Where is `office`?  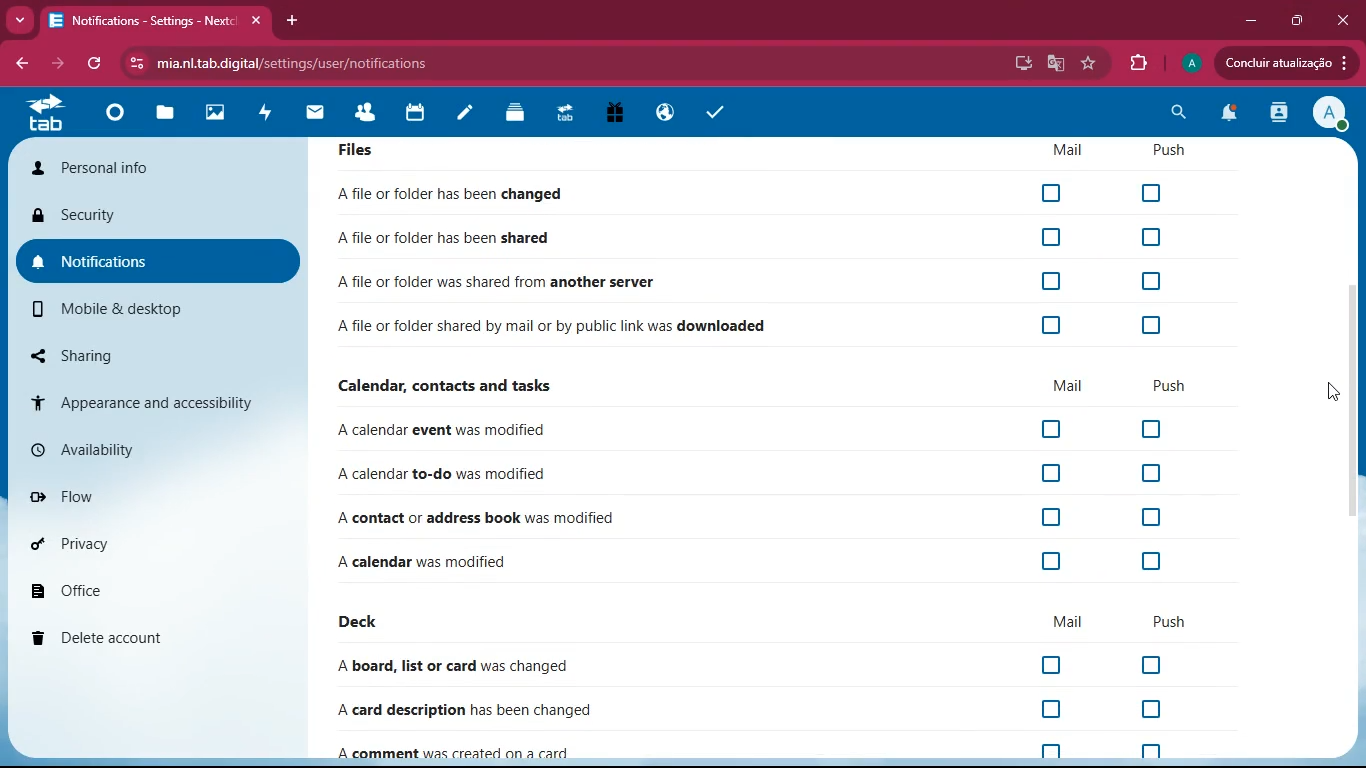
office is located at coordinates (131, 590).